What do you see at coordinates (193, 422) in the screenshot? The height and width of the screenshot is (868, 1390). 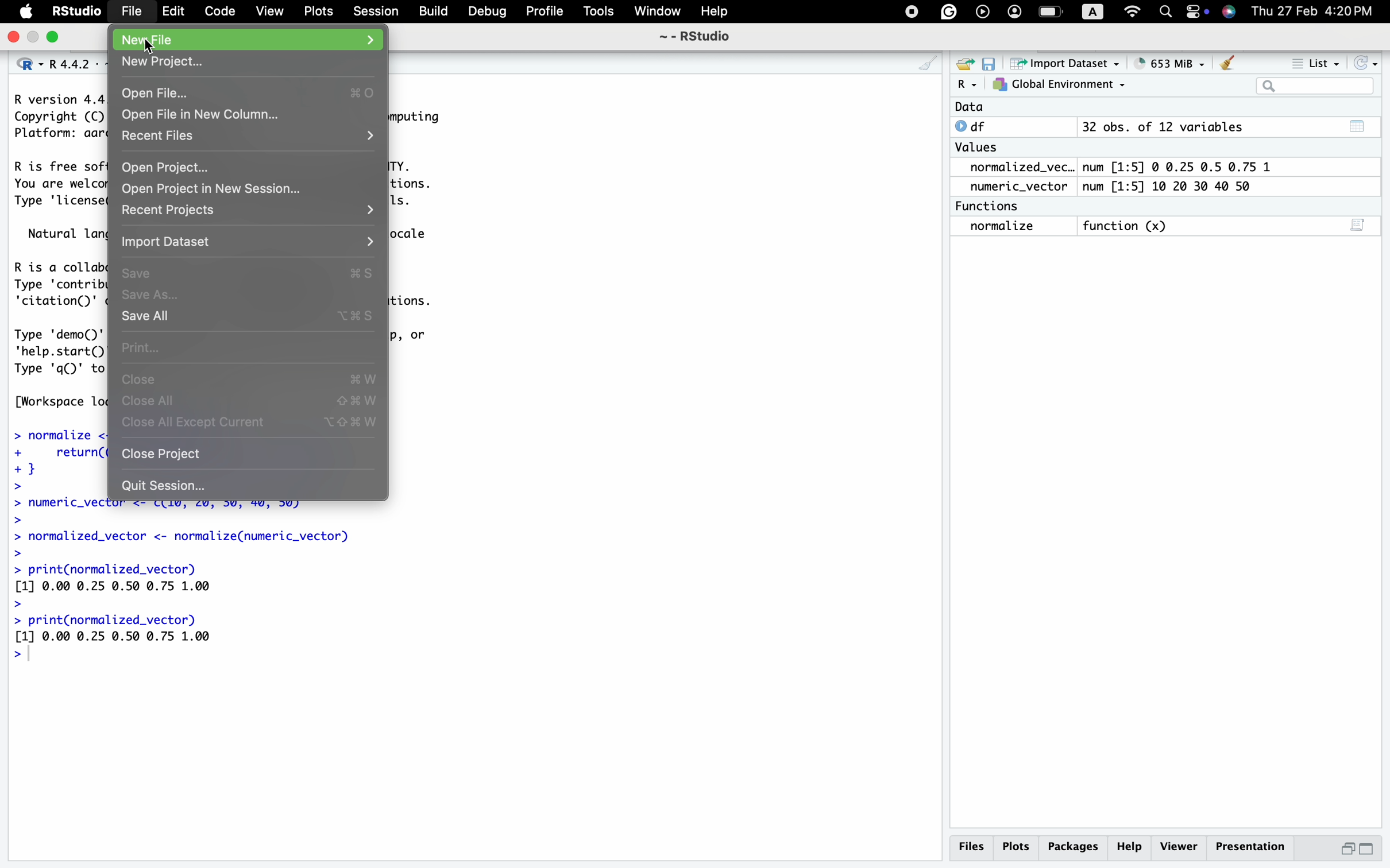 I see `Close All Except Current` at bounding box center [193, 422].